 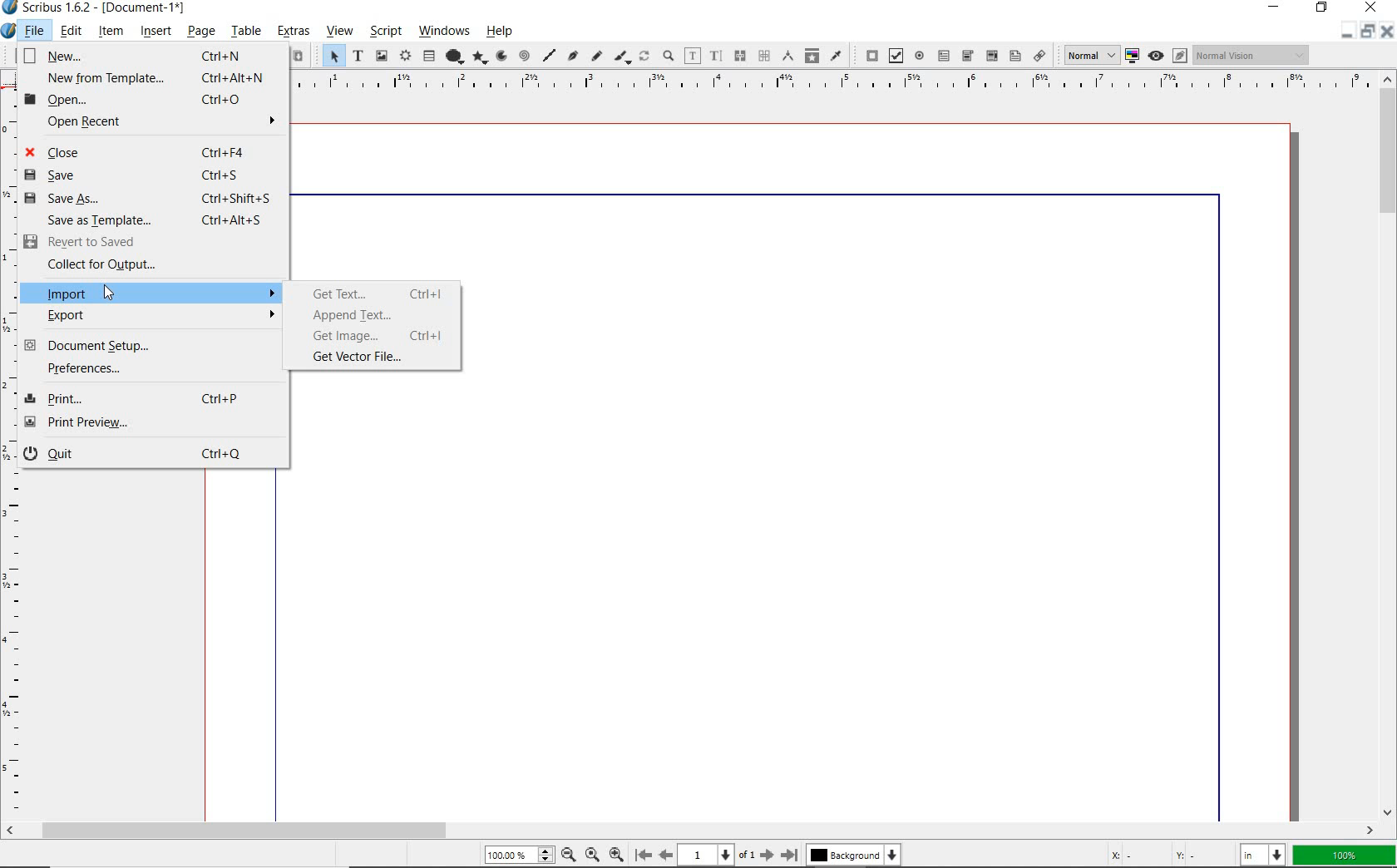 What do you see at coordinates (548, 57) in the screenshot?
I see `line` at bounding box center [548, 57].